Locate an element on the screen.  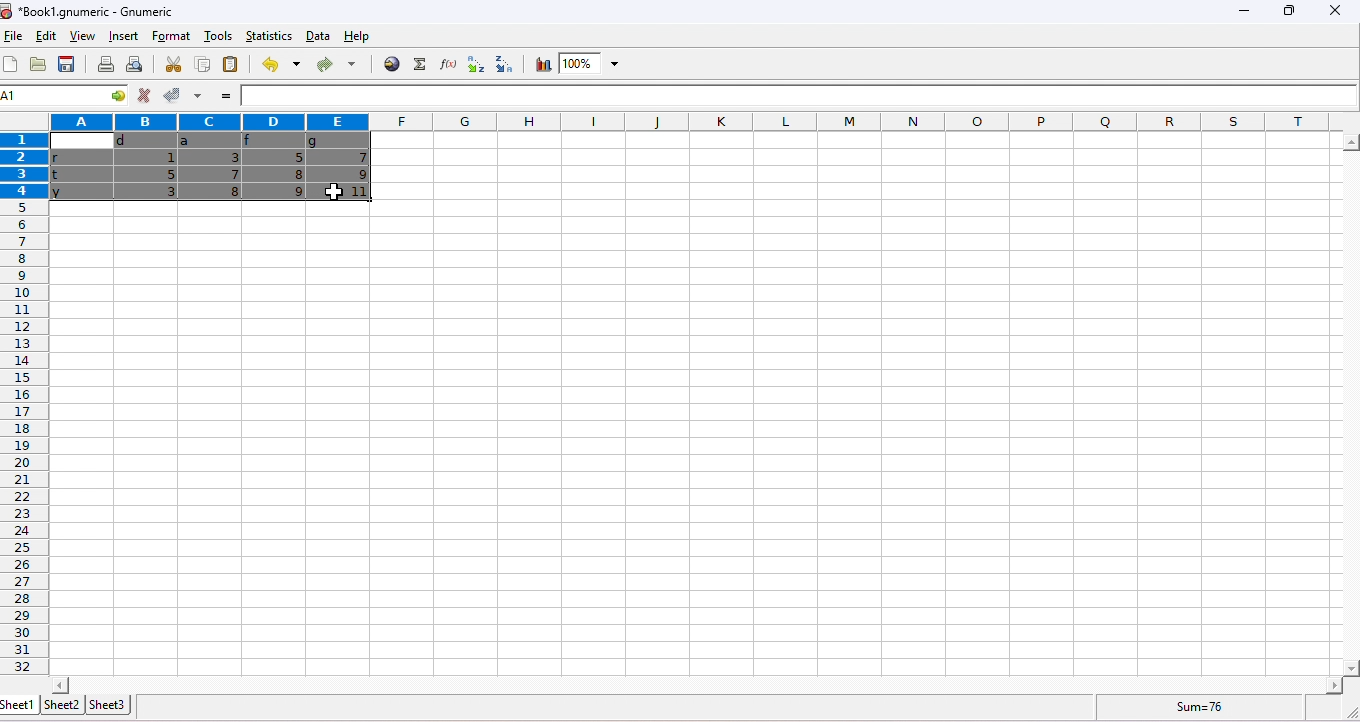
print preview is located at coordinates (133, 65).